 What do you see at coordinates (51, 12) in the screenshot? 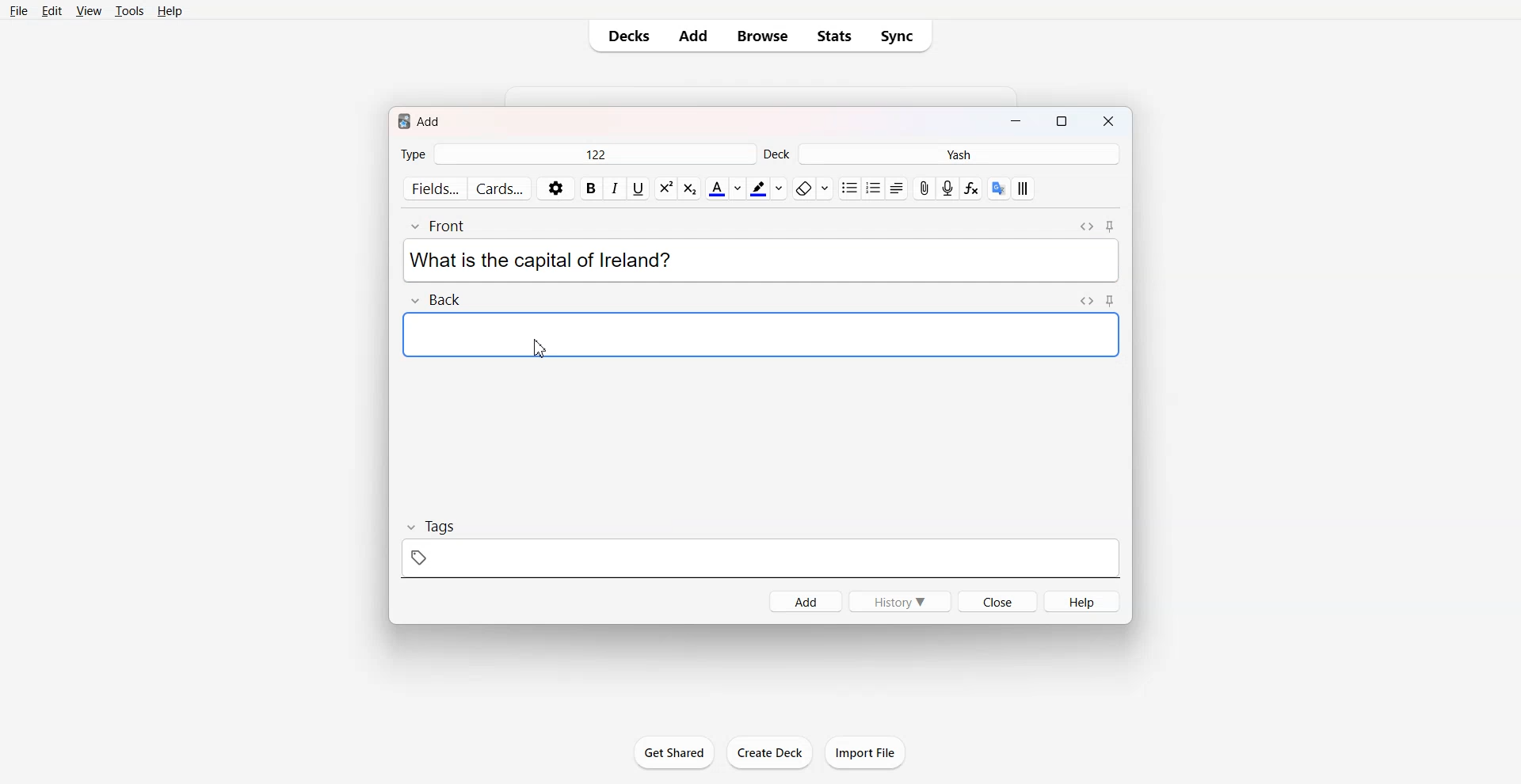
I see `Edit` at bounding box center [51, 12].